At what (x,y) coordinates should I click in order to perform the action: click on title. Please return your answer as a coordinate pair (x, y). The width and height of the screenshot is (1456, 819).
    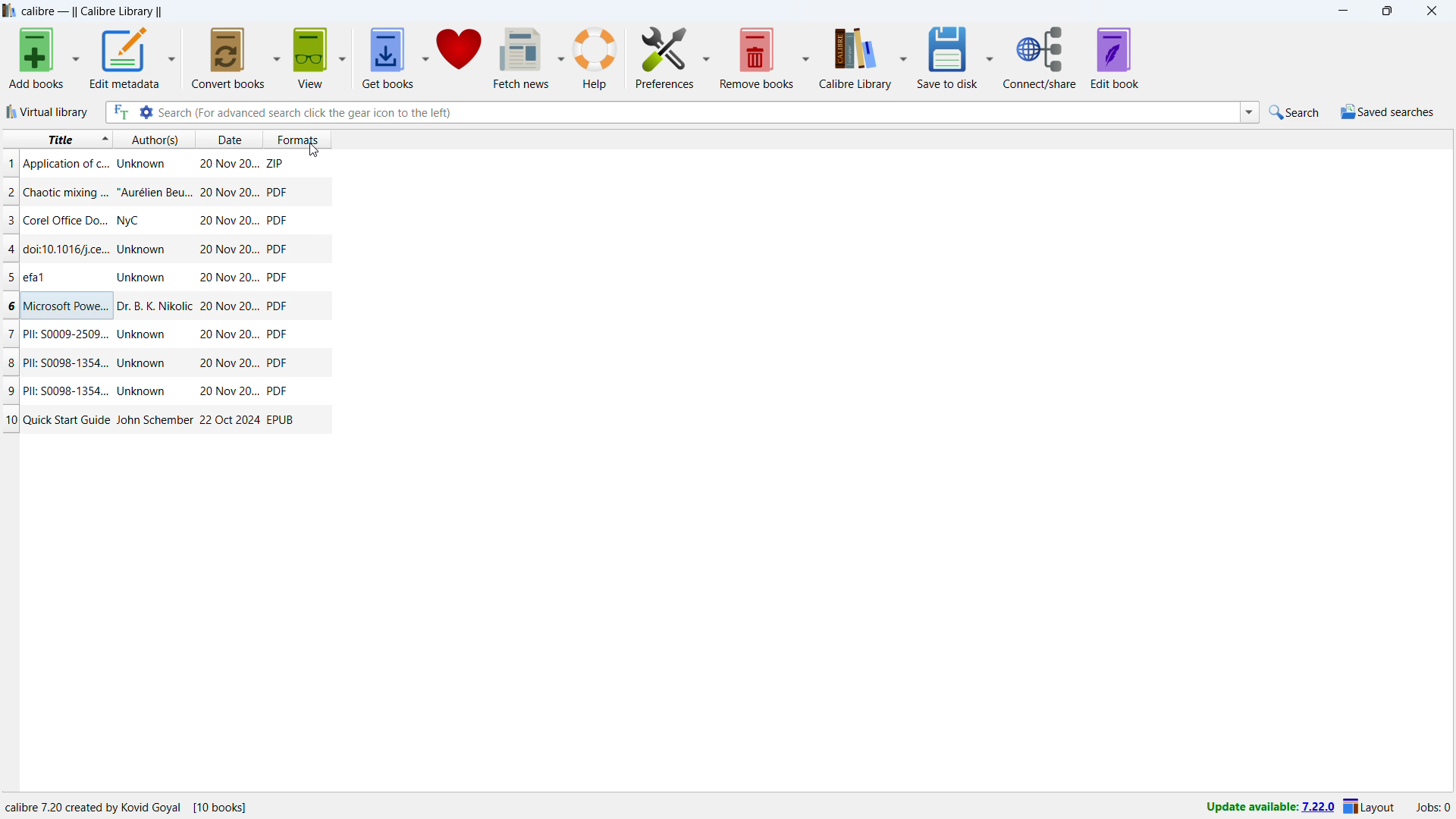
    Looking at the image, I should click on (67, 334).